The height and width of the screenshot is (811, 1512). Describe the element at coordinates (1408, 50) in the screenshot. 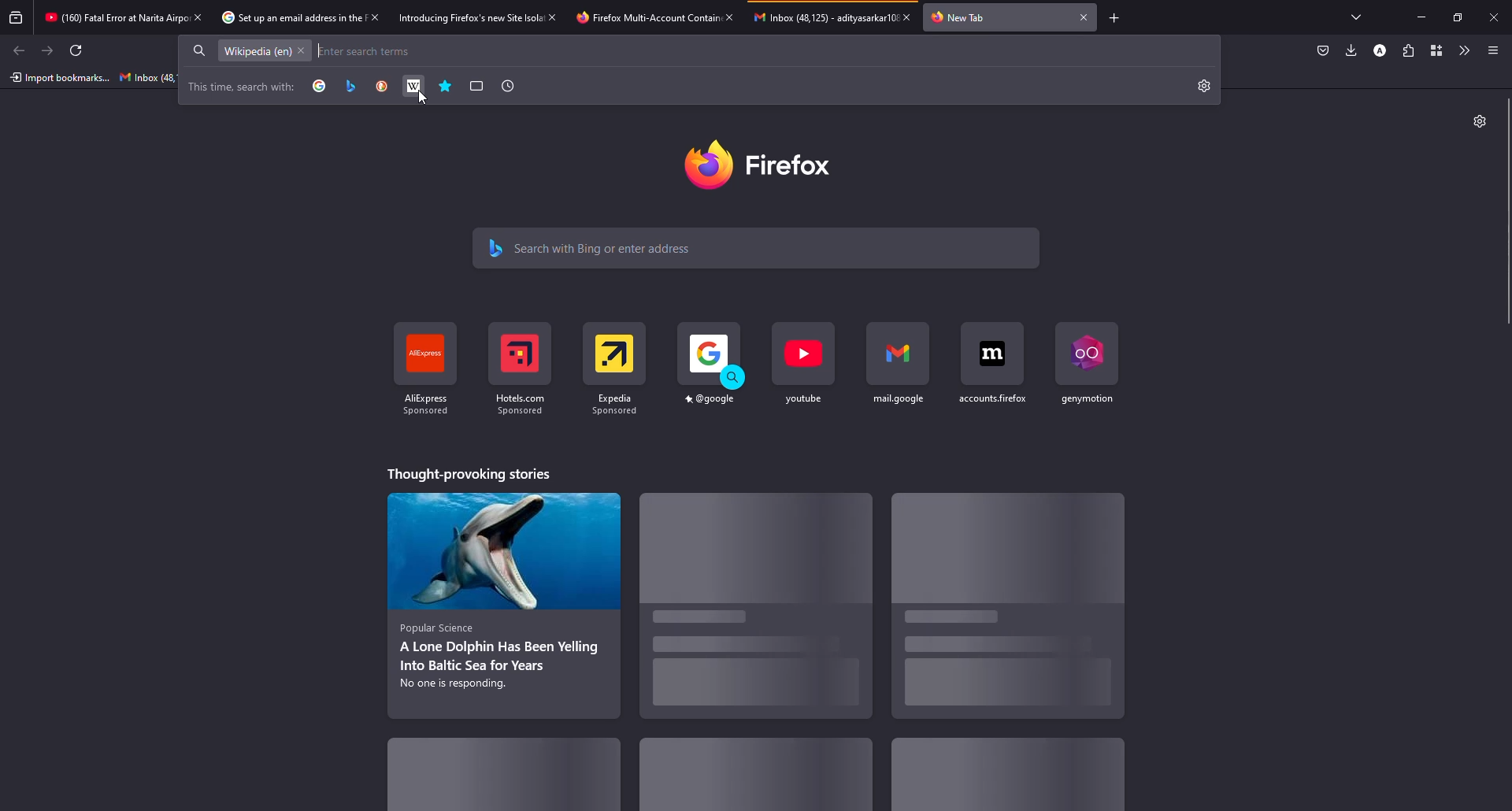

I see `extensions` at that location.